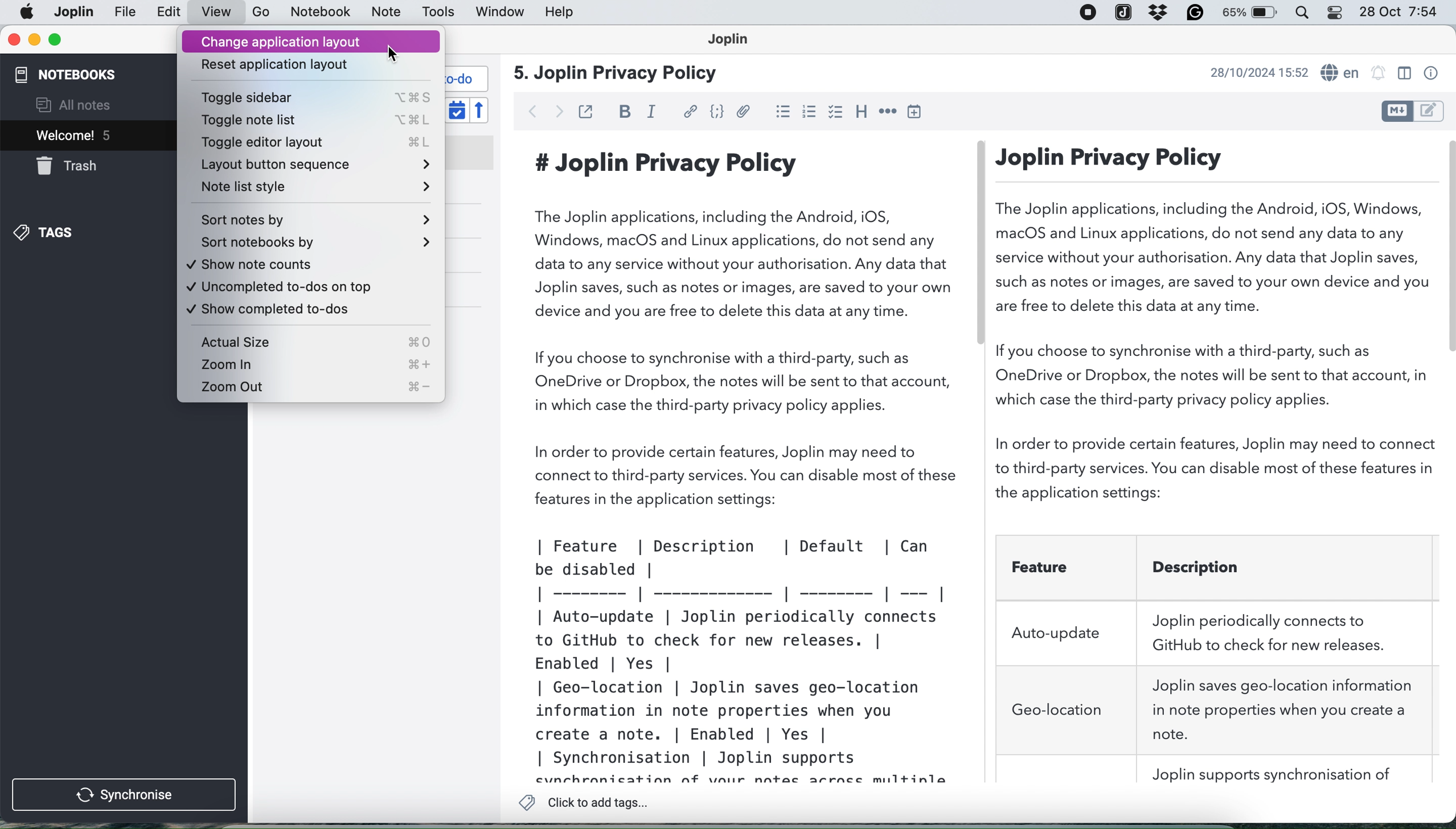 This screenshot has width=1456, height=829. Describe the element at coordinates (716, 112) in the screenshot. I see `get code` at that location.